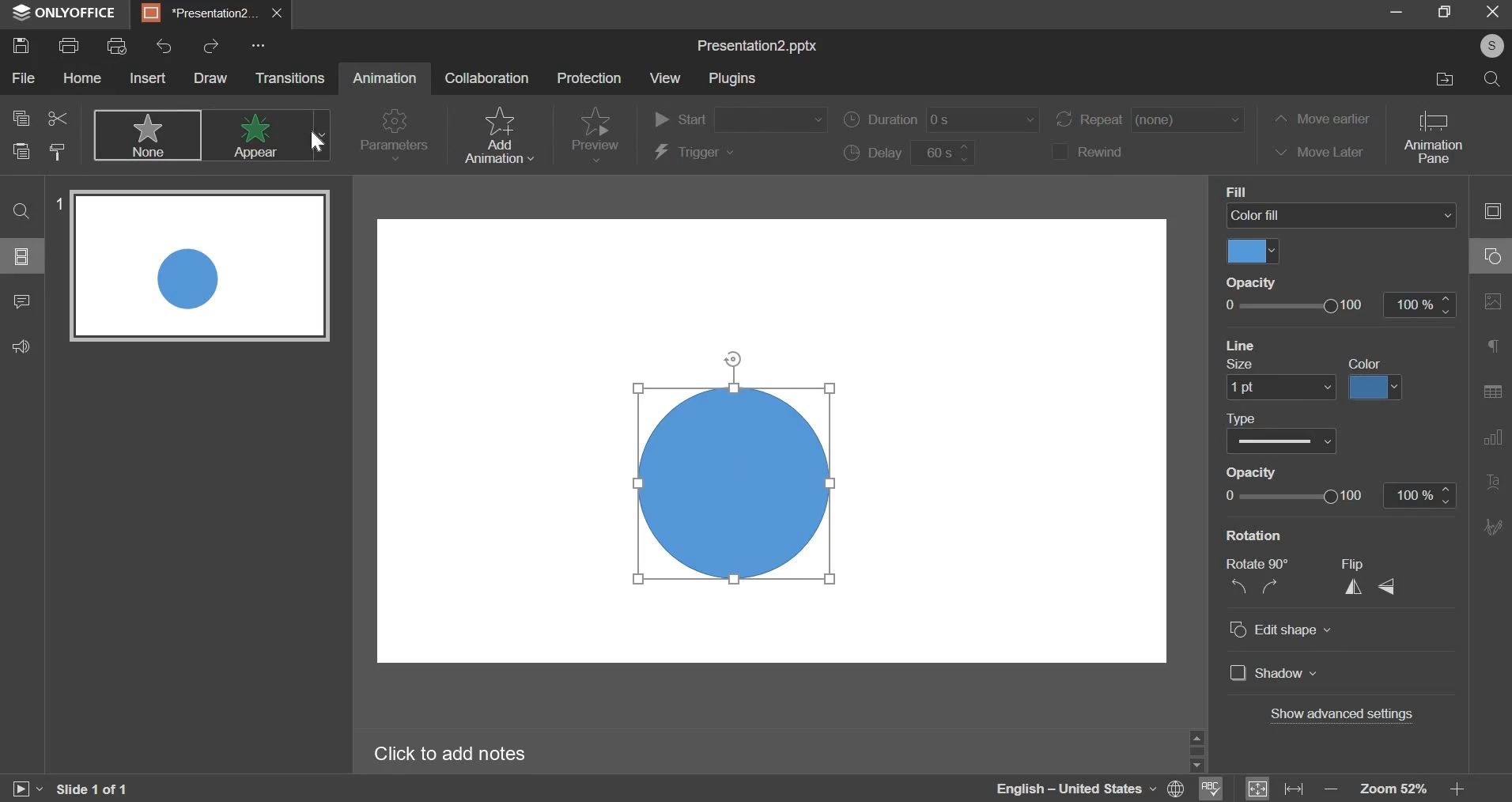  What do you see at coordinates (694, 153) in the screenshot?
I see `trigger` at bounding box center [694, 153].